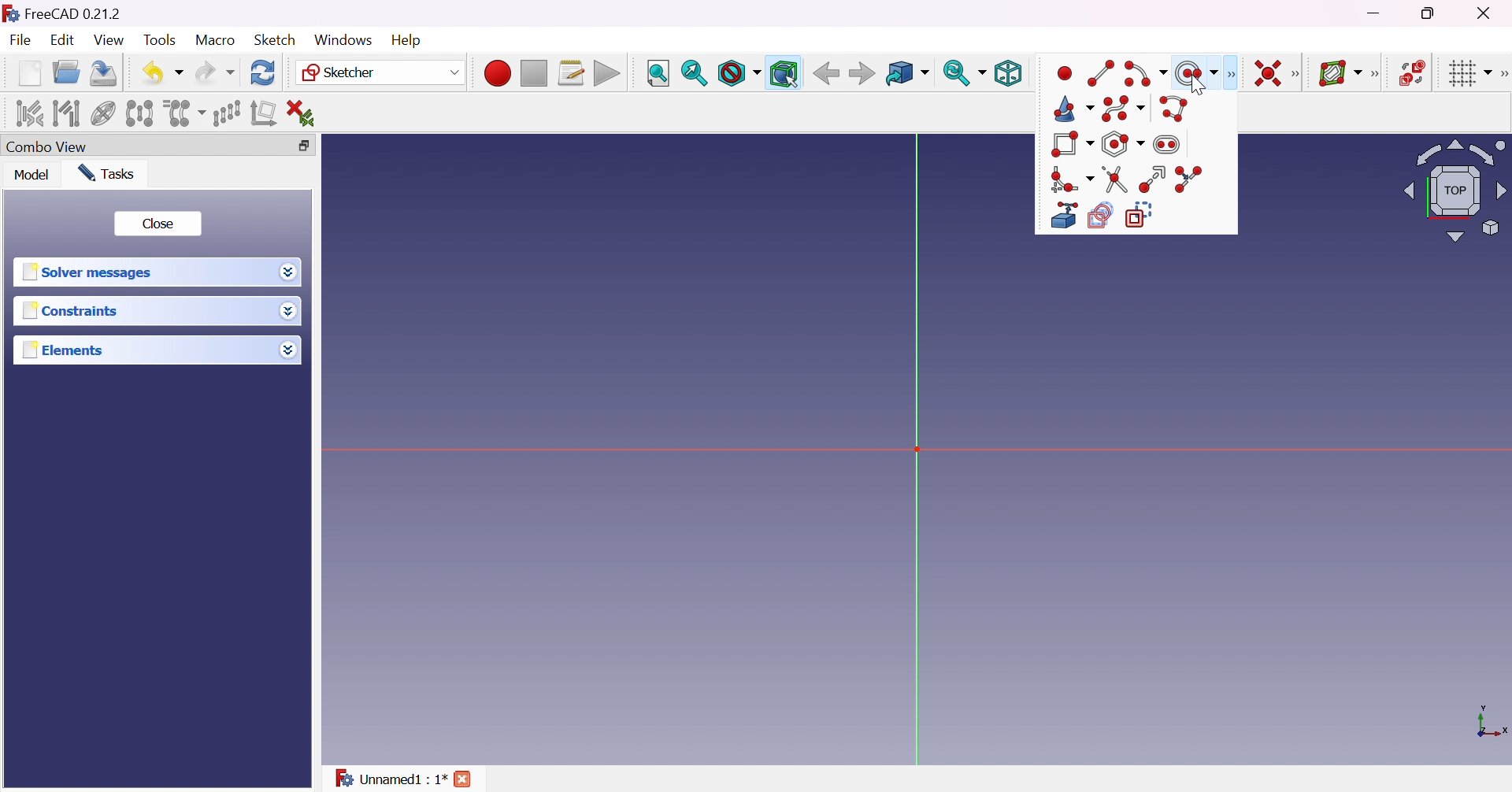 This screenshot has height=792, width=1512. I want to click on Combo view, so click(46, 148).